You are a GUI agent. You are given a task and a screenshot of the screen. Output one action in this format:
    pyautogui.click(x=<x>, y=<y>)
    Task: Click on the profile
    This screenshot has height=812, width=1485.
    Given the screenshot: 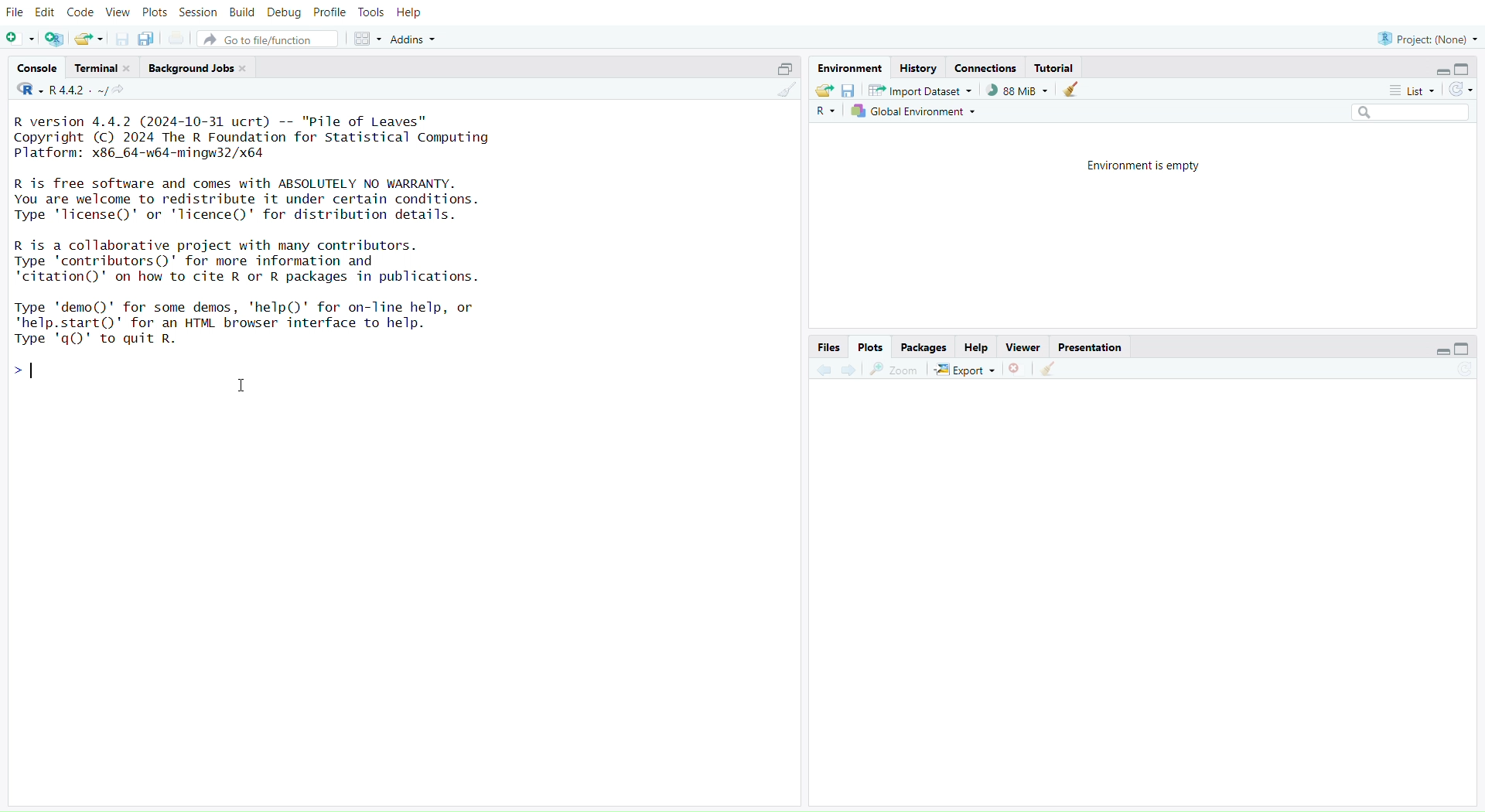 What is the action you would take?
    pyautogui.click(x=329, y=12)
    